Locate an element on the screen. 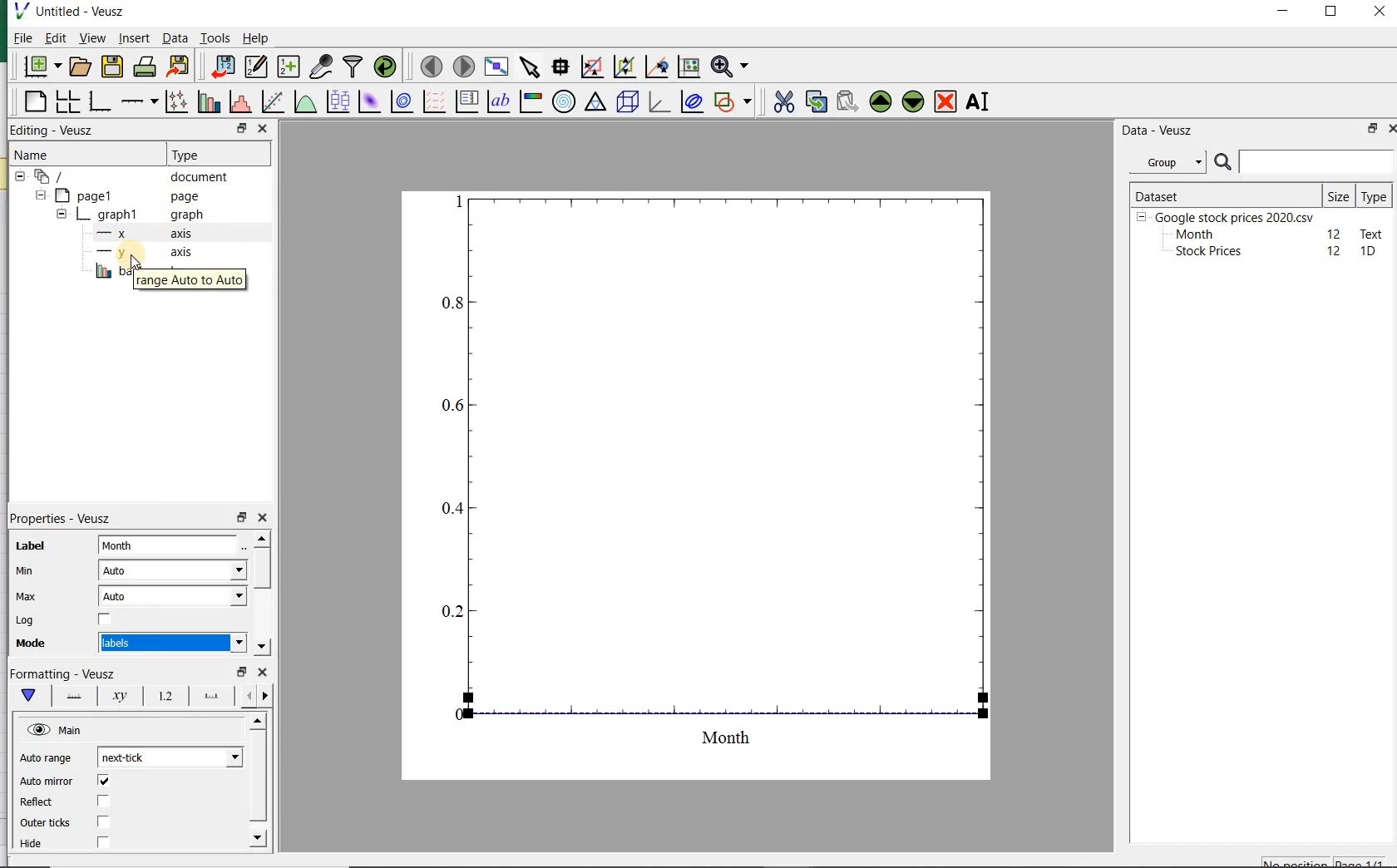 The height and width of the screenshot is (868, 1397). polar graph is located at coordinates (563, 101).